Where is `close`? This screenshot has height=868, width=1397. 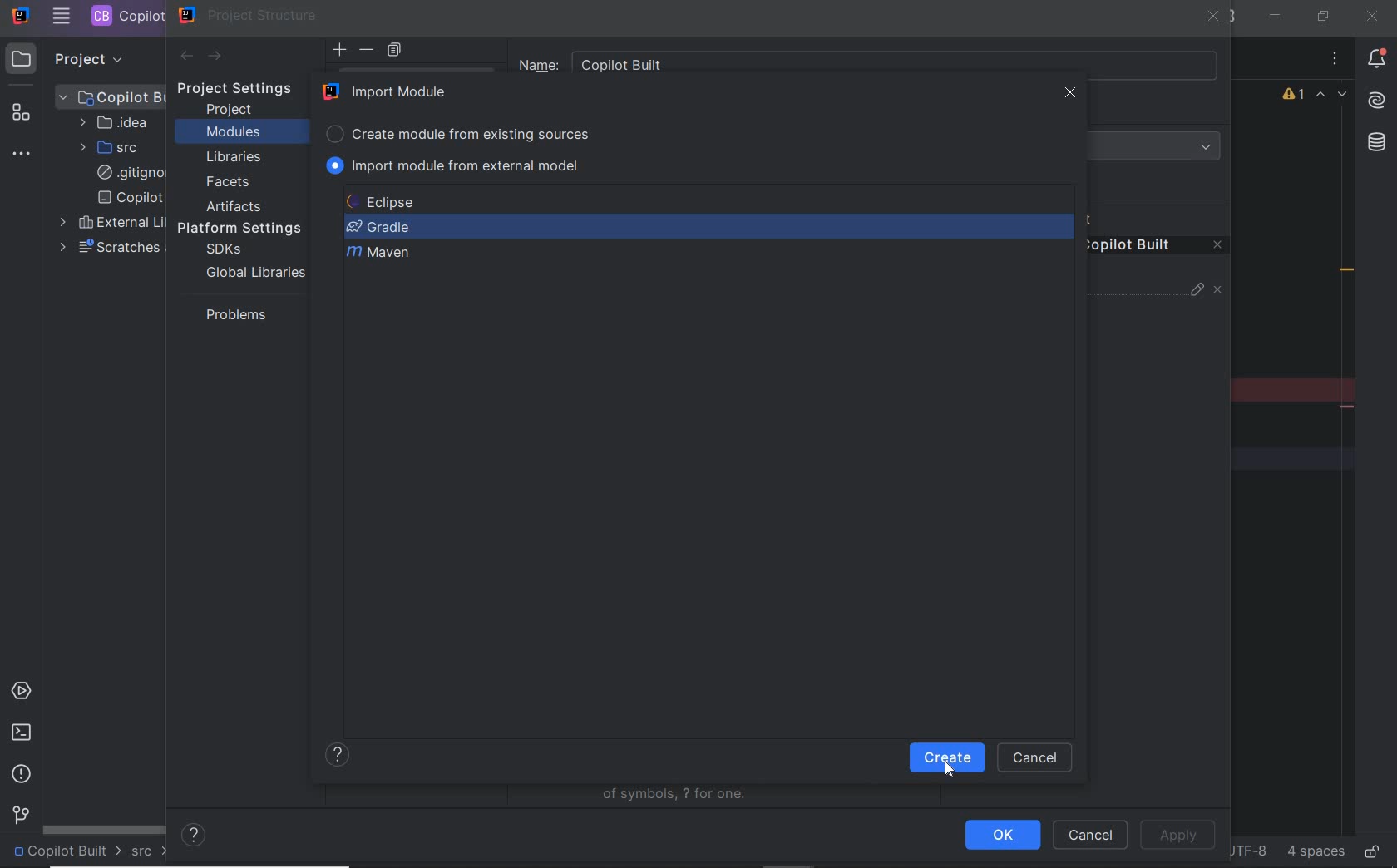
close is located at coordinates (1070, 94).